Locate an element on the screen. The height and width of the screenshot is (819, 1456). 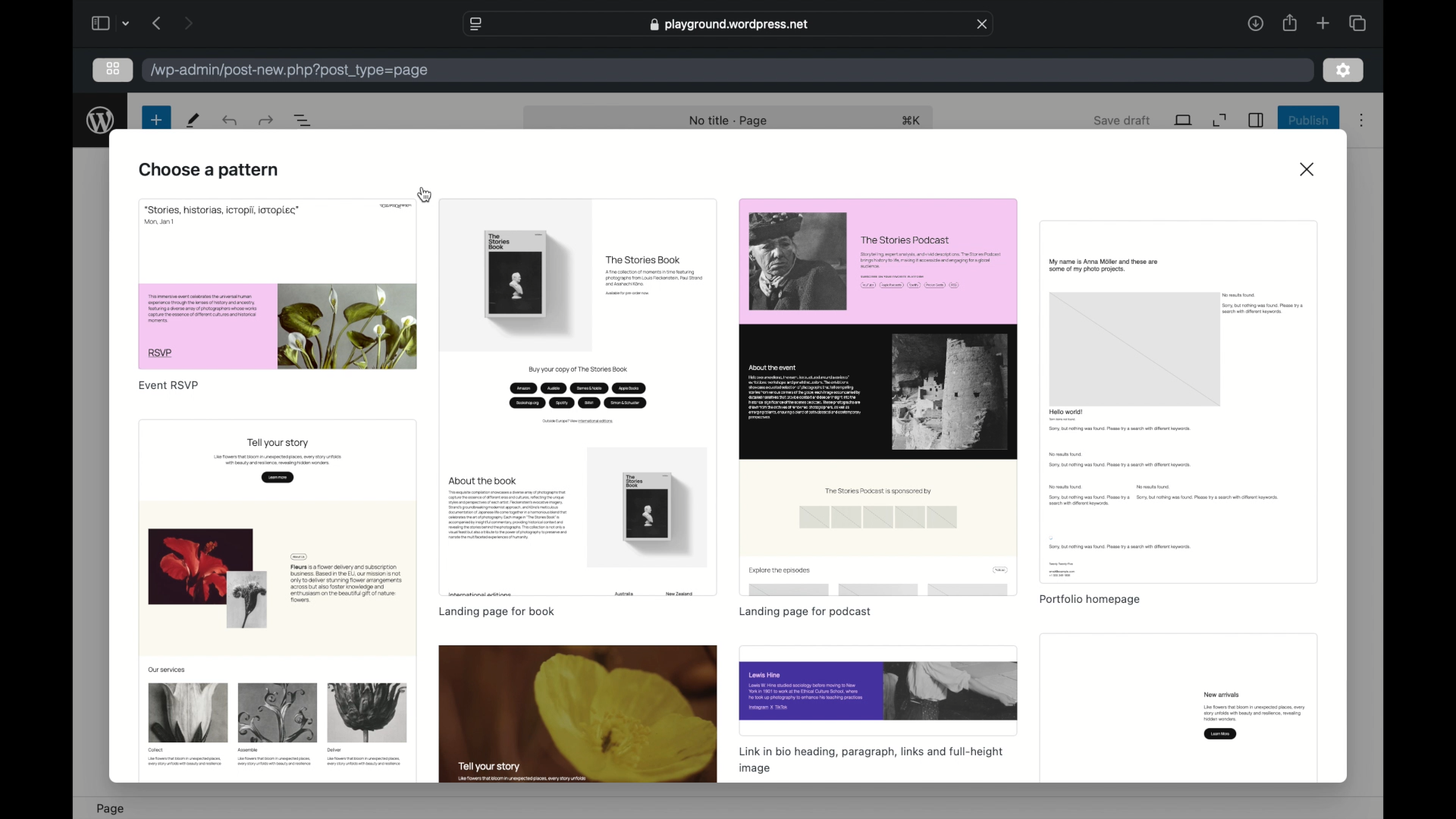
template name is located at coordinates (496, 613).